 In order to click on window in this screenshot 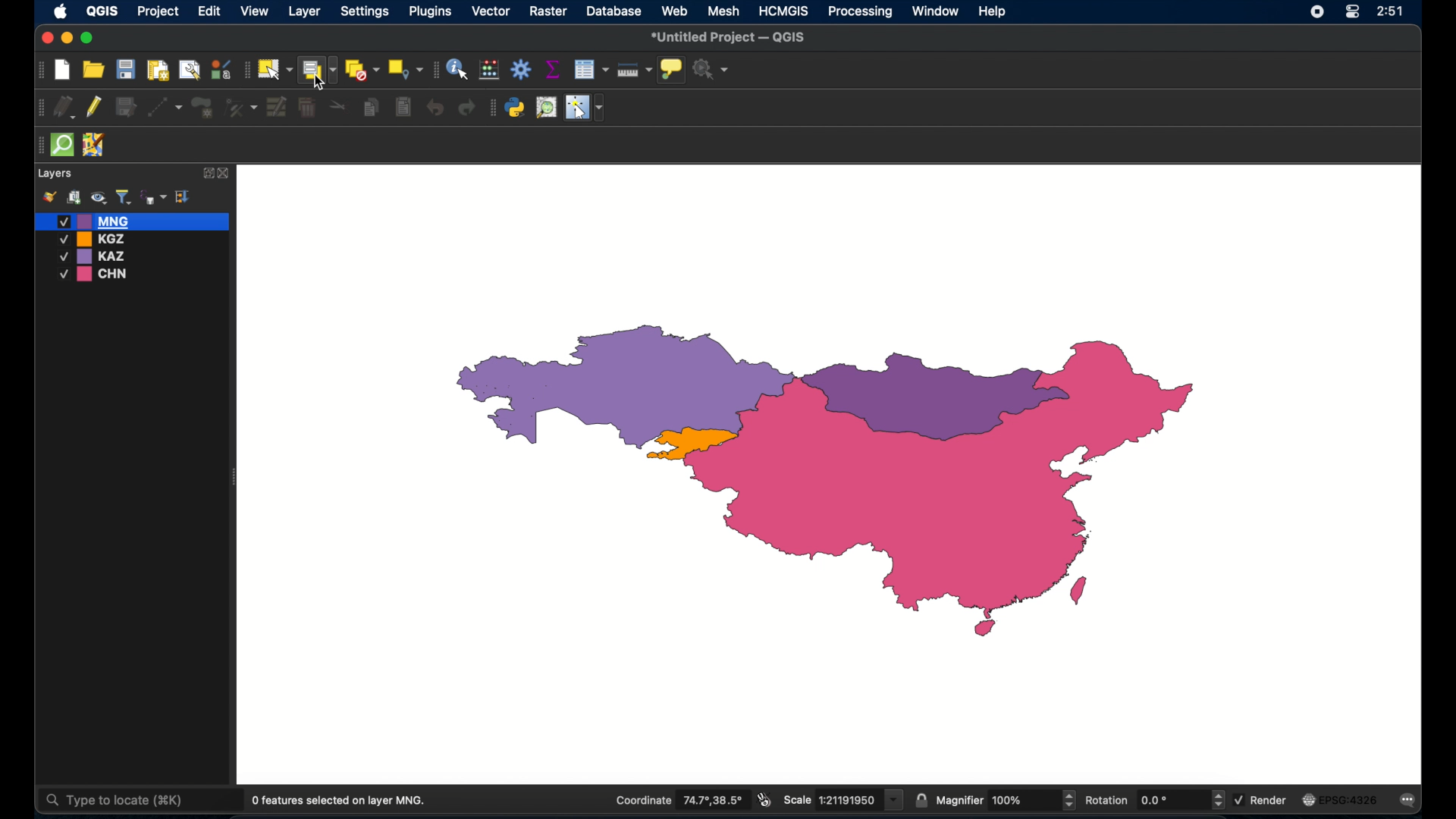, I will do `click(937, 11)`.